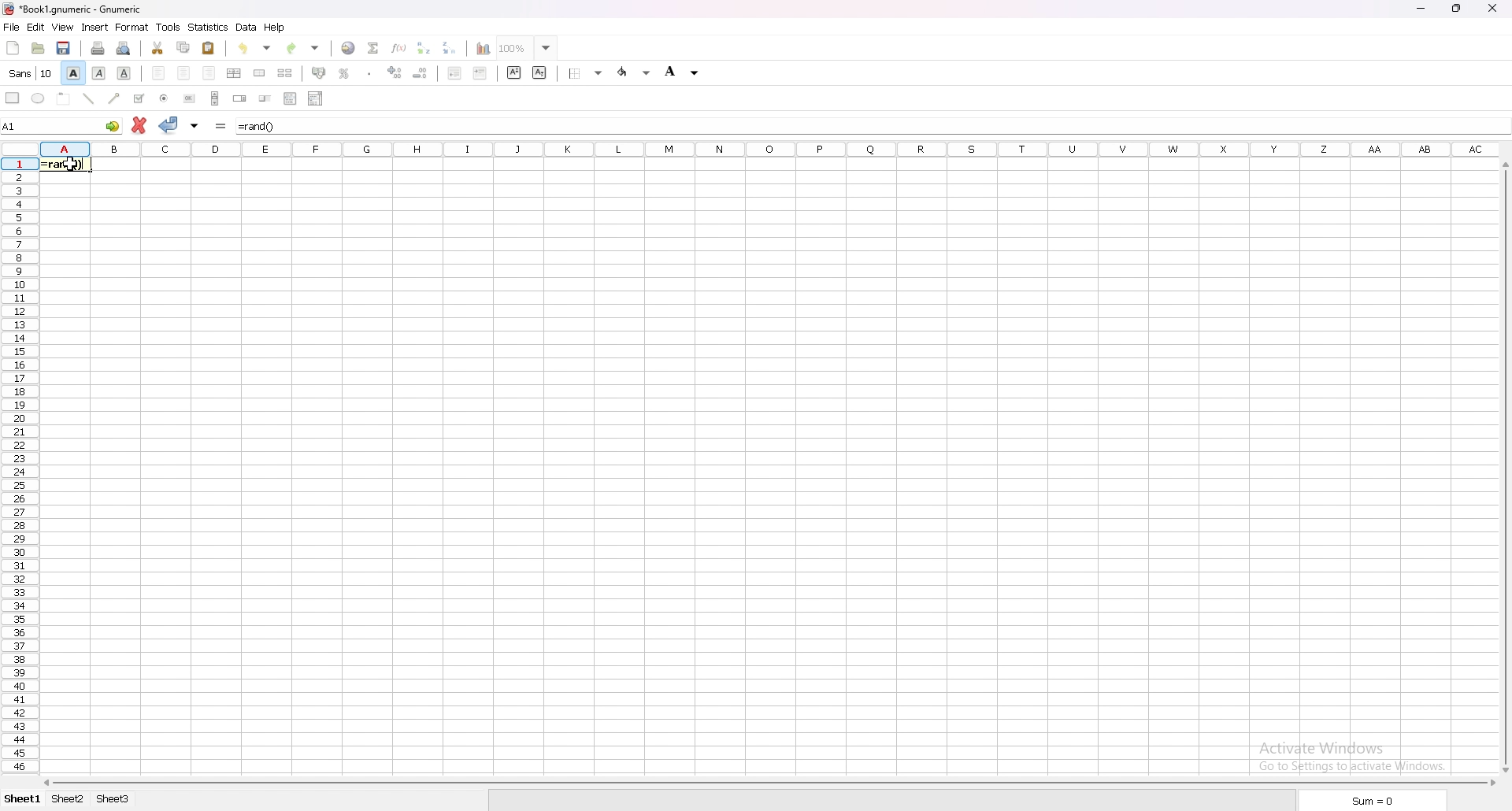  Describe the element at coordinates (132, 27) in the screenshot. I see `format` at that location.